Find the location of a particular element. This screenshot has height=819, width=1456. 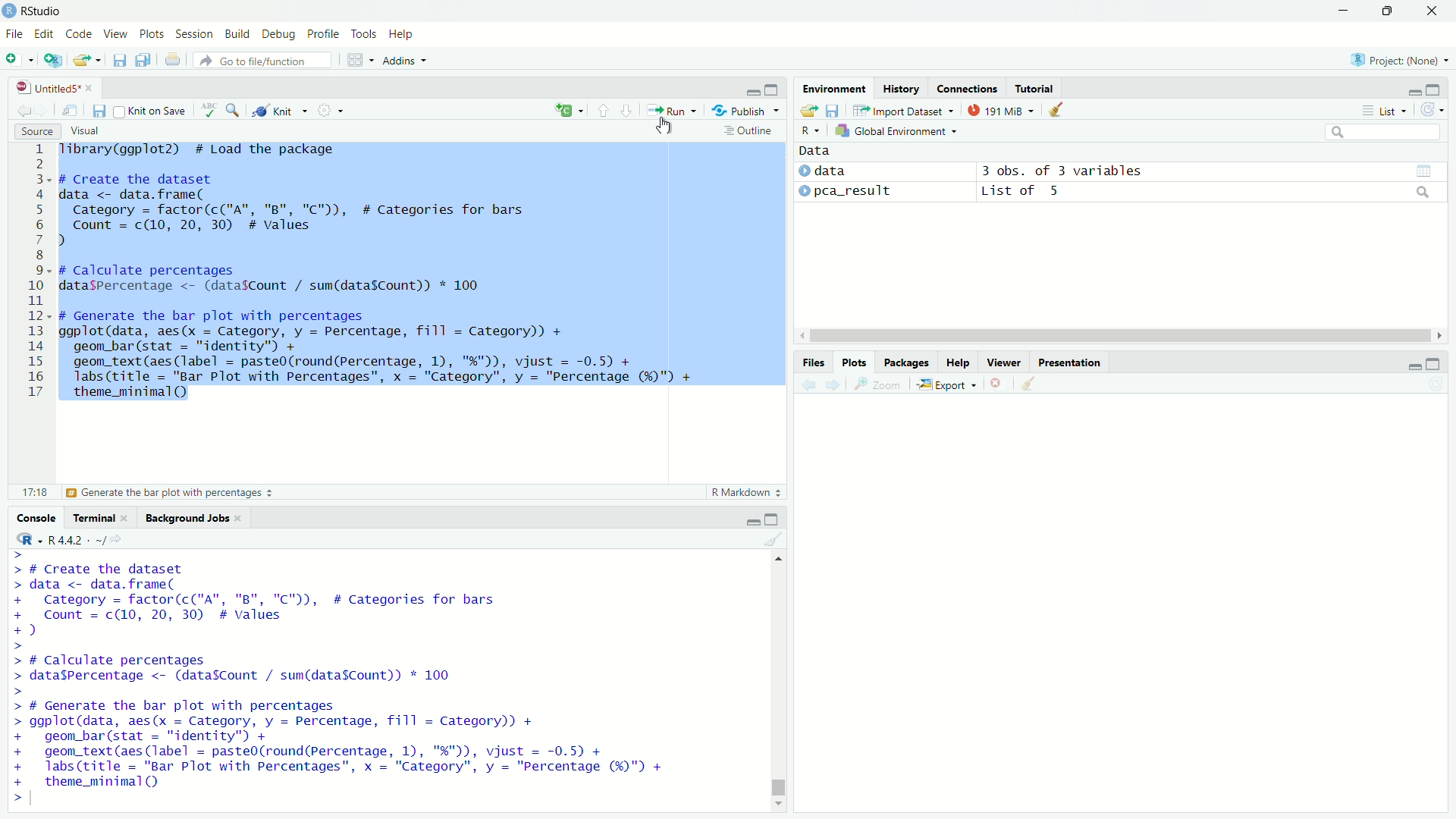

print selected file is located at coordinates (173, 59).